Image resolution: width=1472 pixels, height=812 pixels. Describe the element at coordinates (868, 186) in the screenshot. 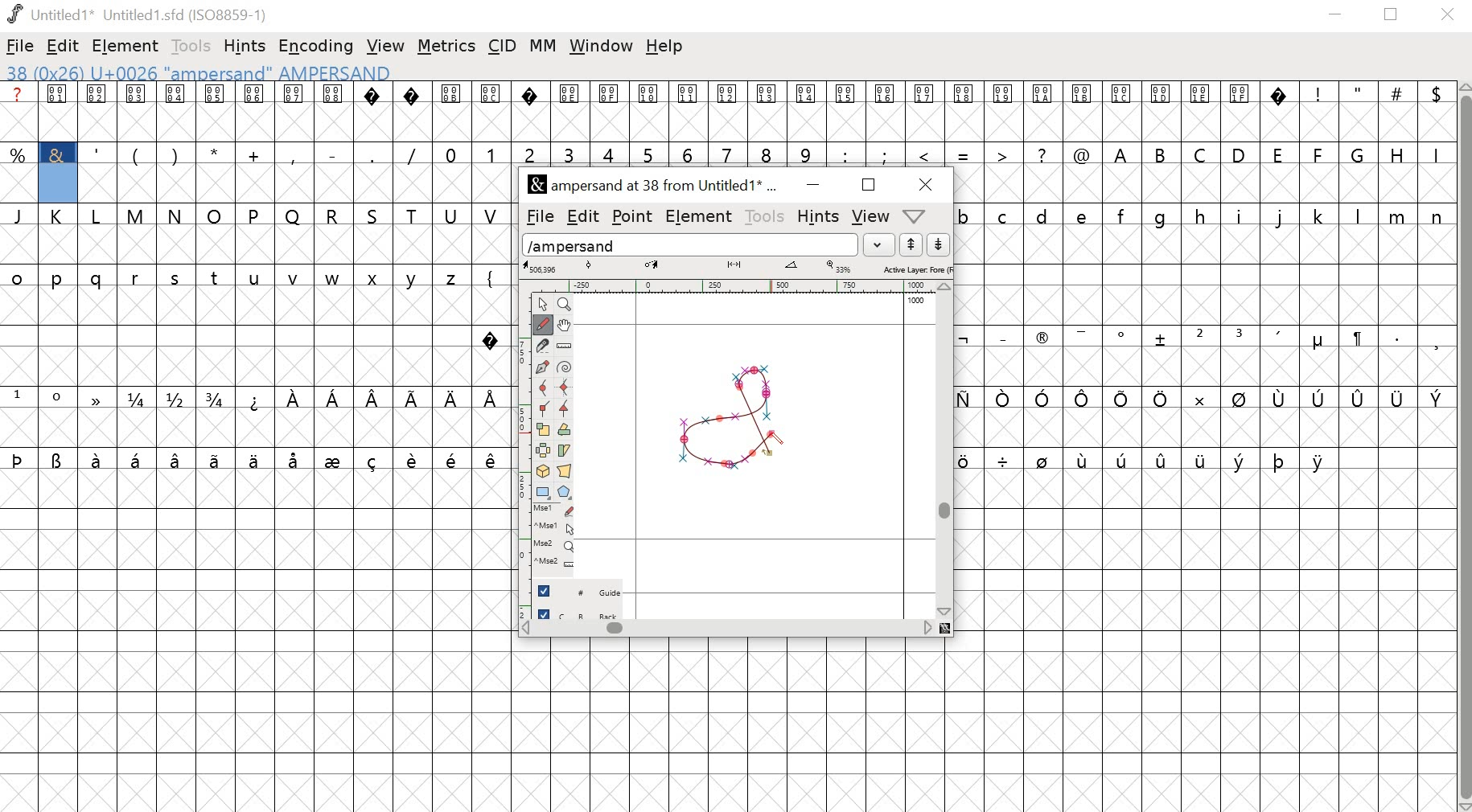

I see `maximize` at that location.